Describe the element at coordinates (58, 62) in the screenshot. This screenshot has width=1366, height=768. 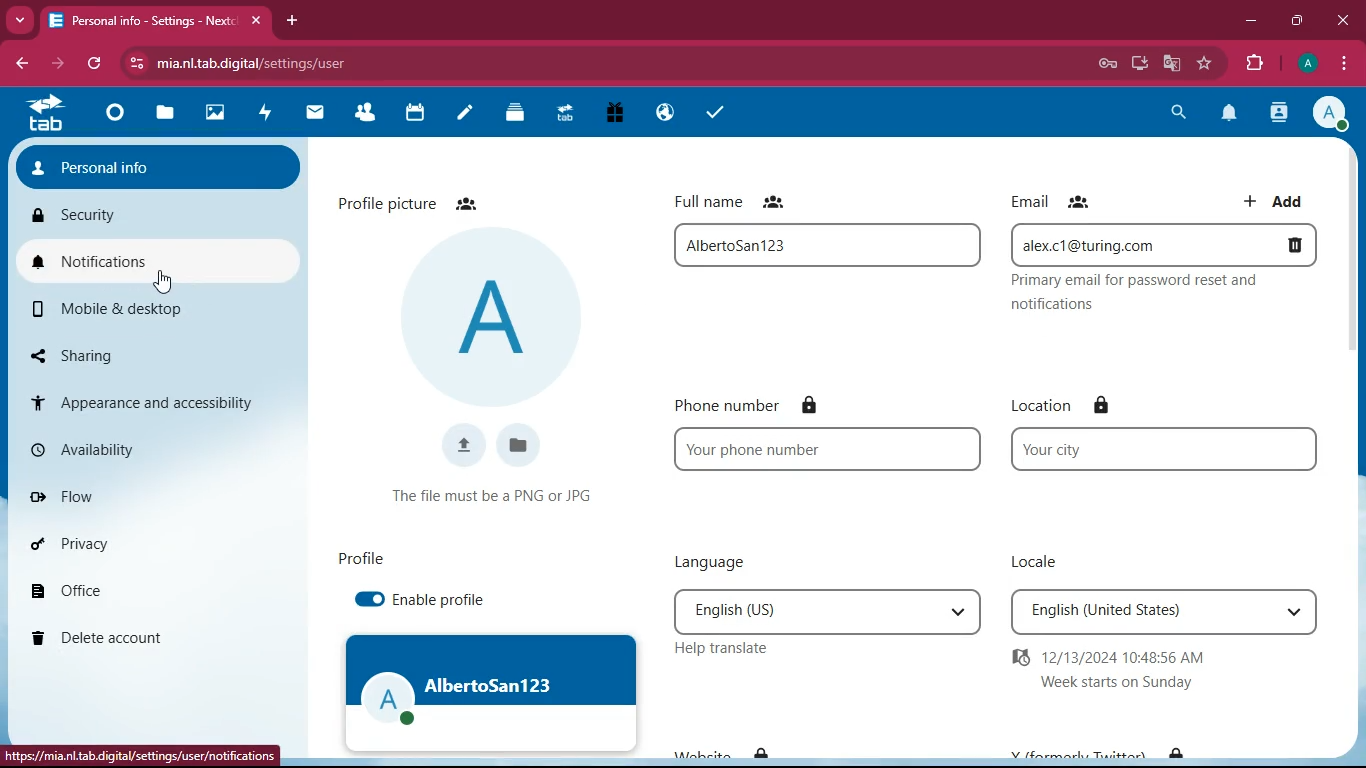
I see `forward` at that location.